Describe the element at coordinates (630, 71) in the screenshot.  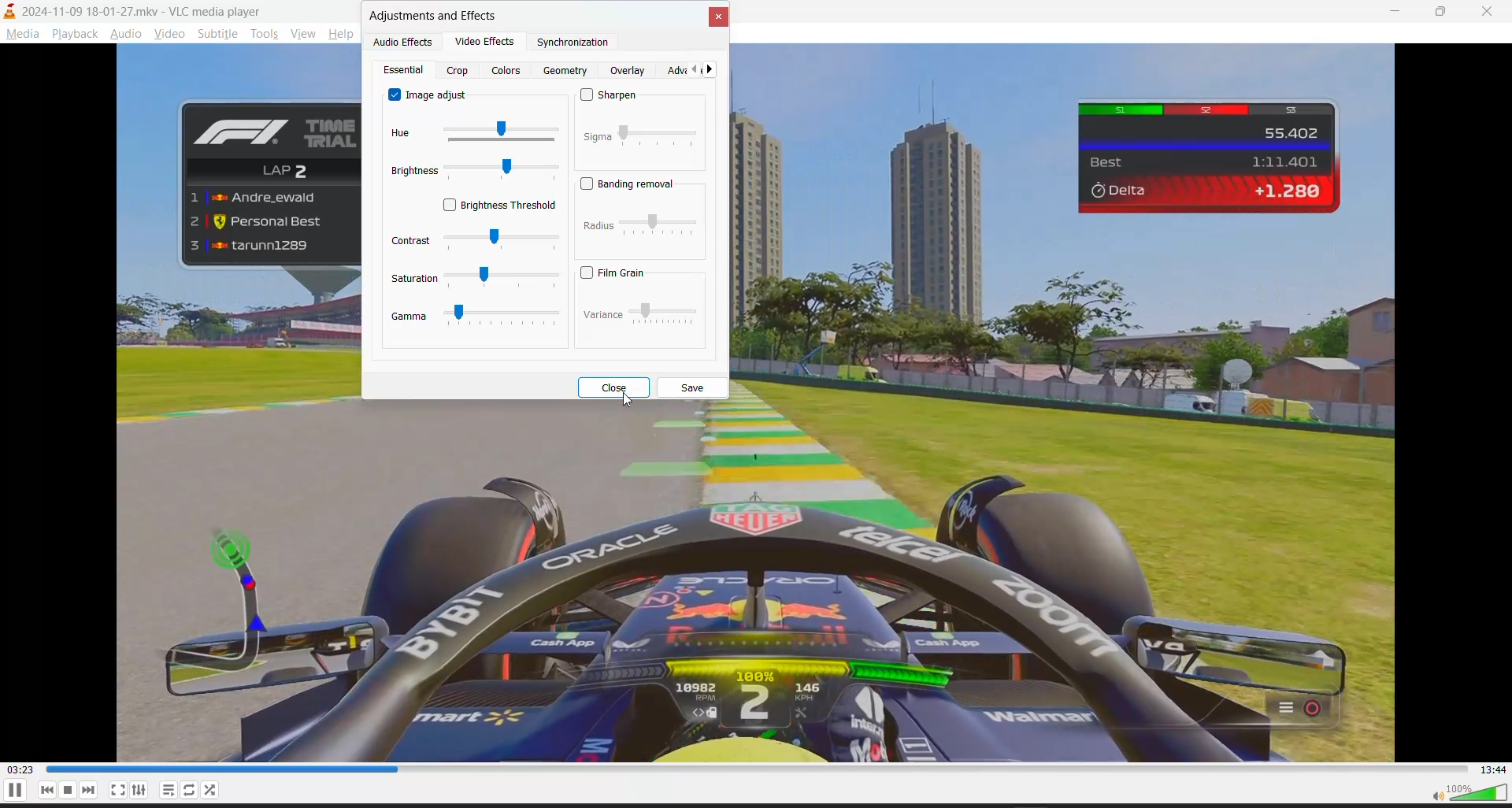
I see `overlay` at that location.